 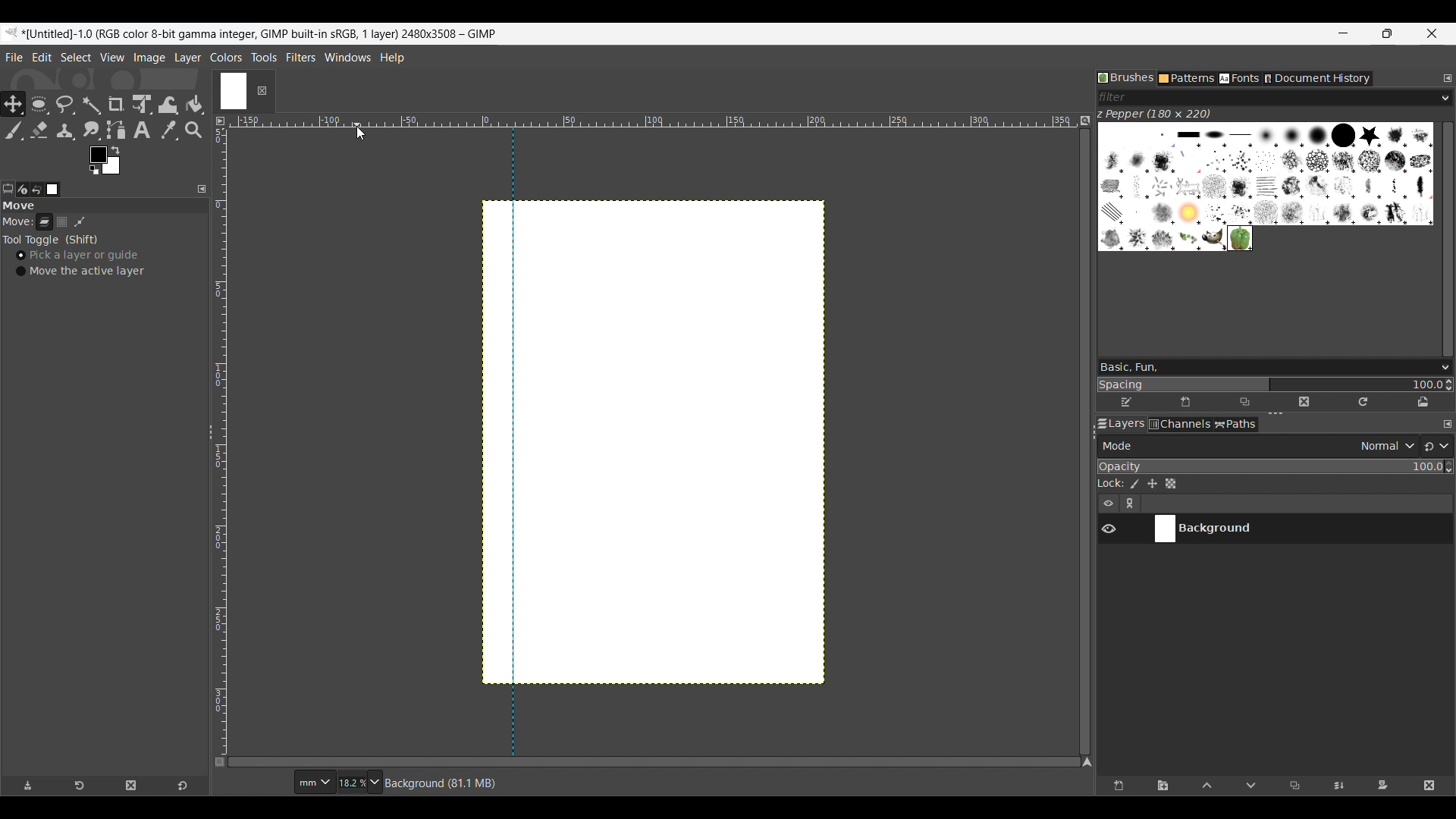 What do you see at coordinates (1126, 77) in the screenshot?
I see `Brushes tab, current selection highlighted` at bounding box center [1126, 77].